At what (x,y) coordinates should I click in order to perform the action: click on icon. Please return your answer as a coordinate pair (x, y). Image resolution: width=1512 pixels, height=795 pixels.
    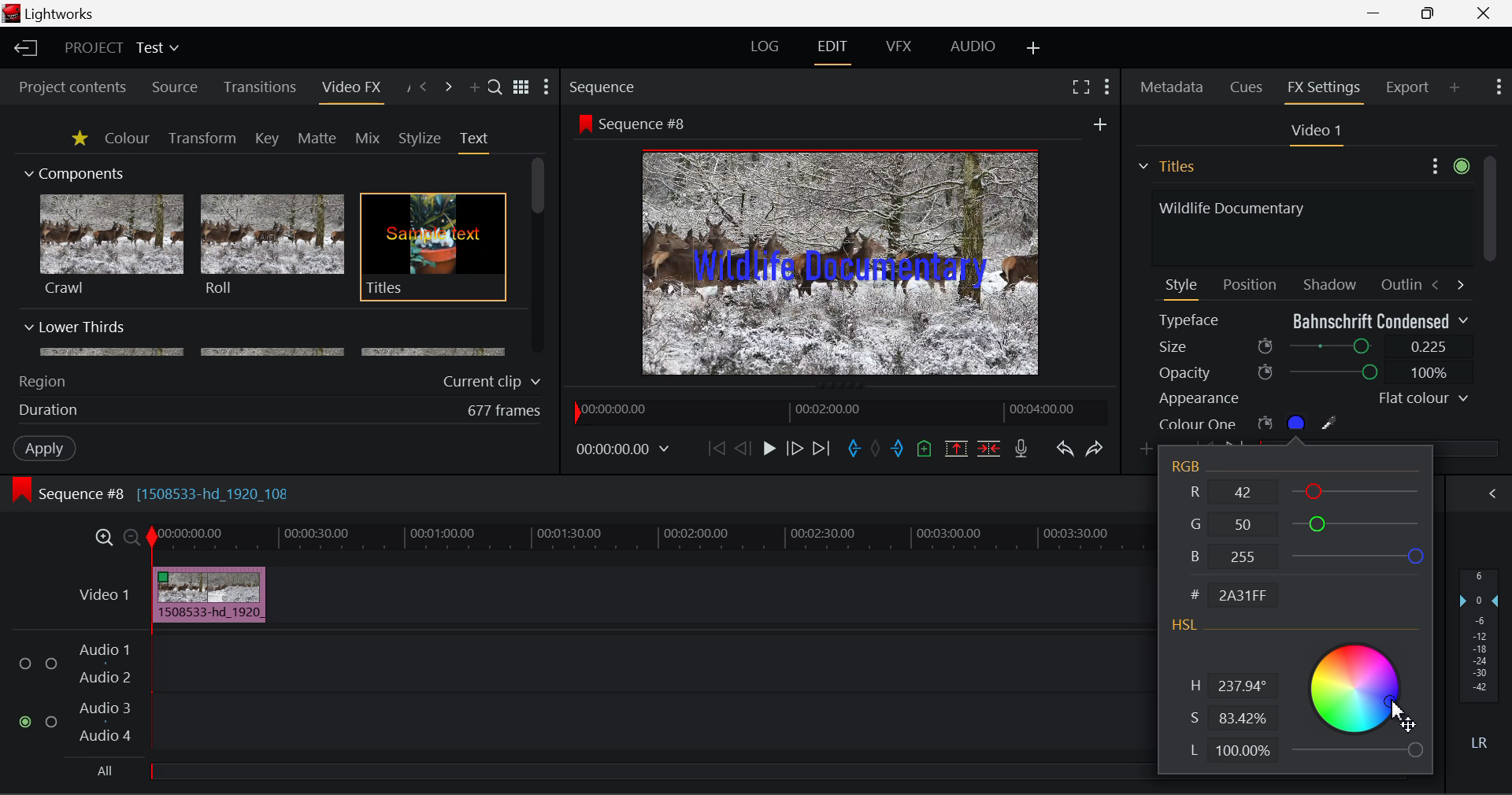
    Looking at the image, I should click on (584, 123).